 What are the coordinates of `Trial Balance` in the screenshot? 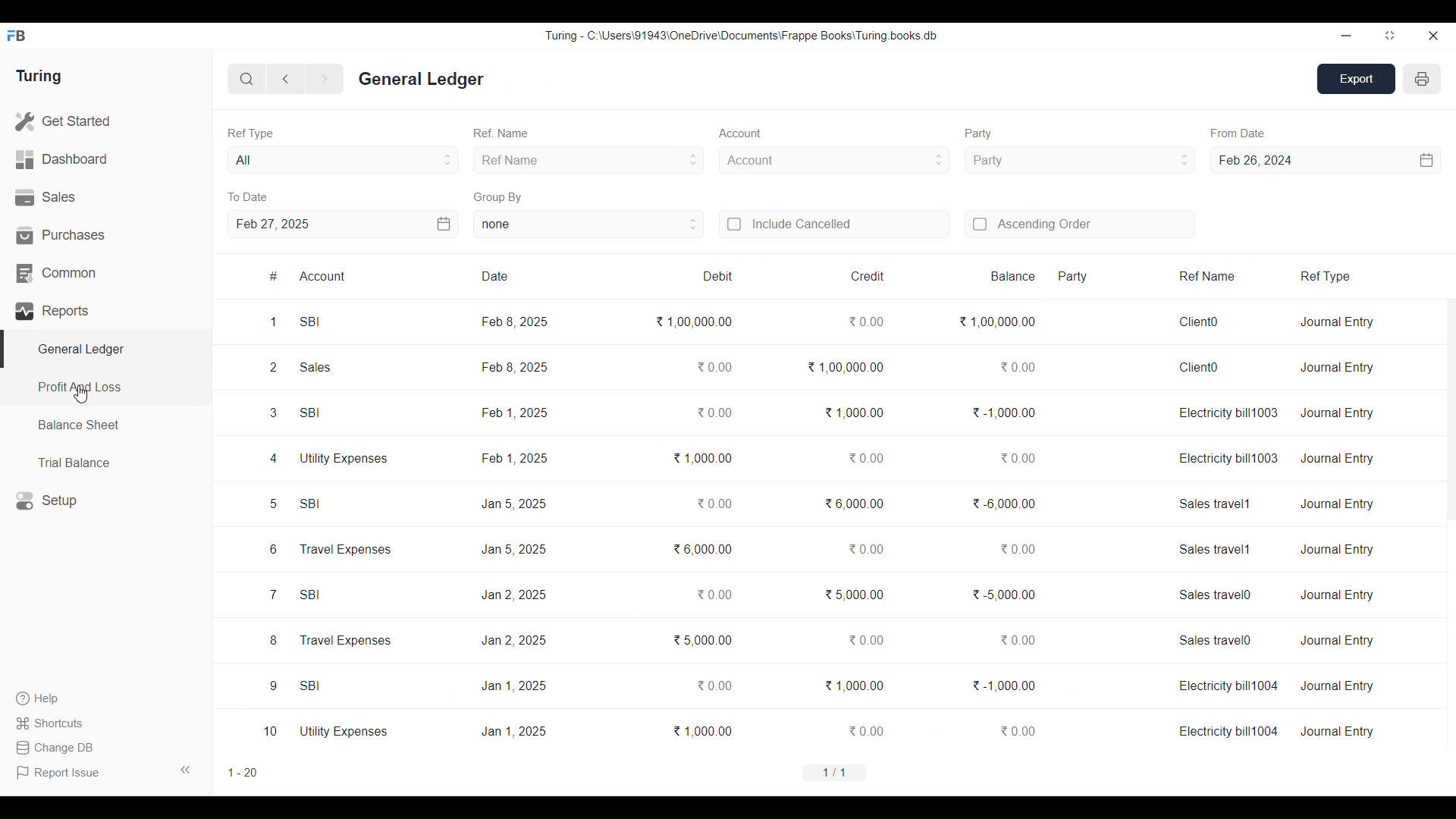 It's located at (106, 462).